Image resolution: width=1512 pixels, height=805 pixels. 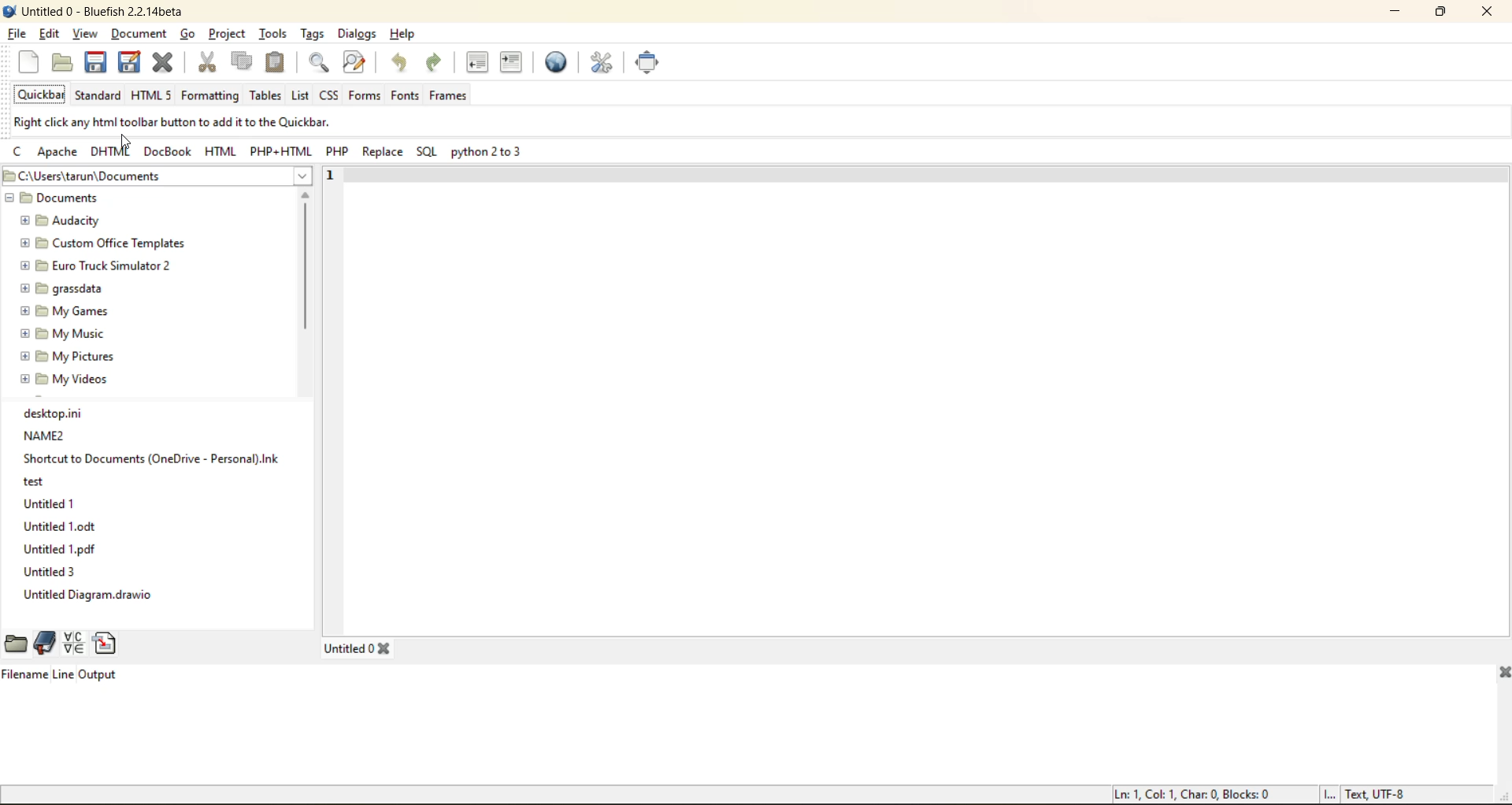 What do you see at coordinates (558, 63) in the screenshot?
I see `preview in web browser` at bounding box center [558, 63].